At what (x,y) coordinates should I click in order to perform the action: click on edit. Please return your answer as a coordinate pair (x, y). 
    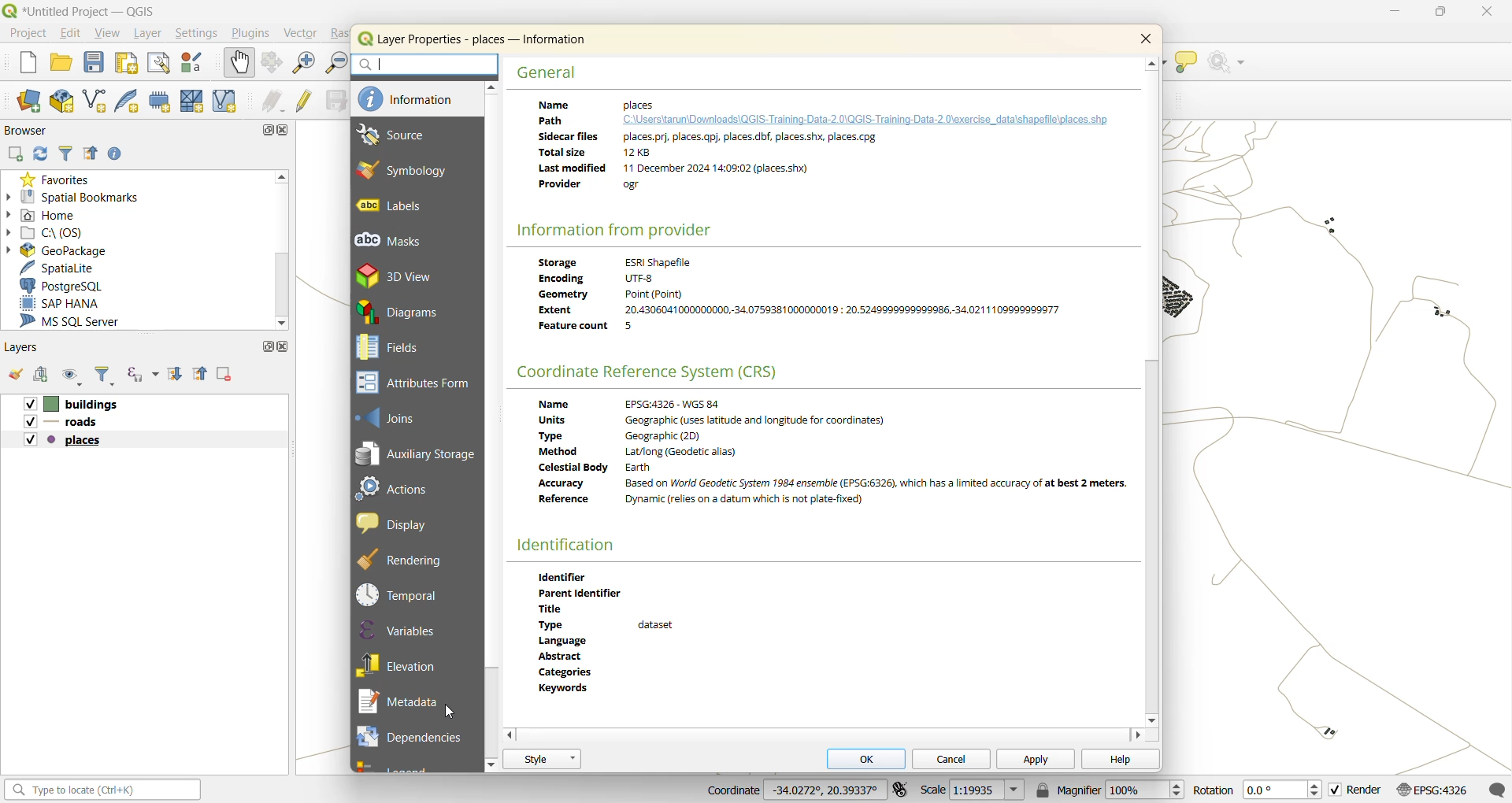
    Looking at the image, I should click on (76, 34).